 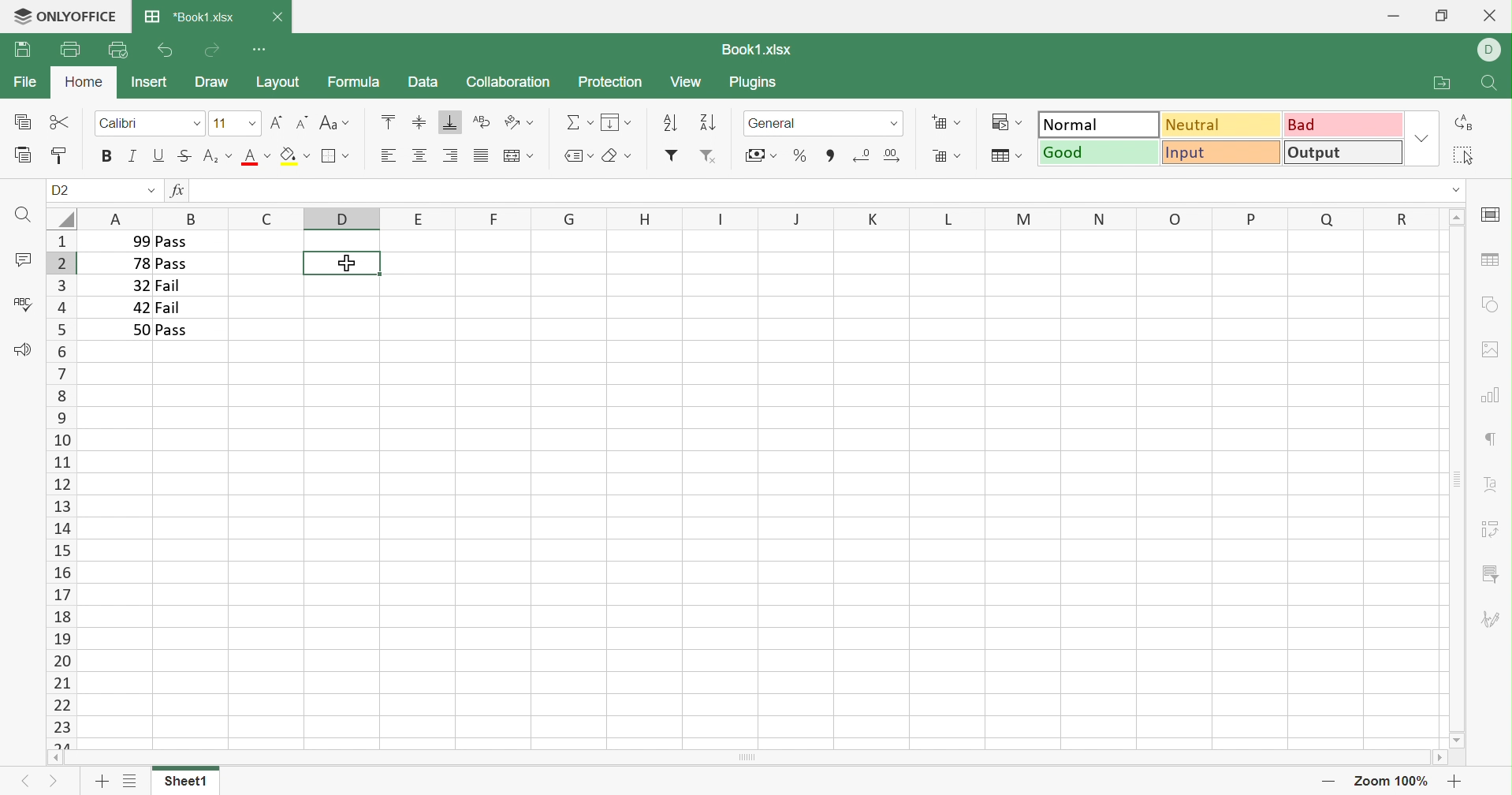 I want to click on Add cells, so click(x=947, y=123).